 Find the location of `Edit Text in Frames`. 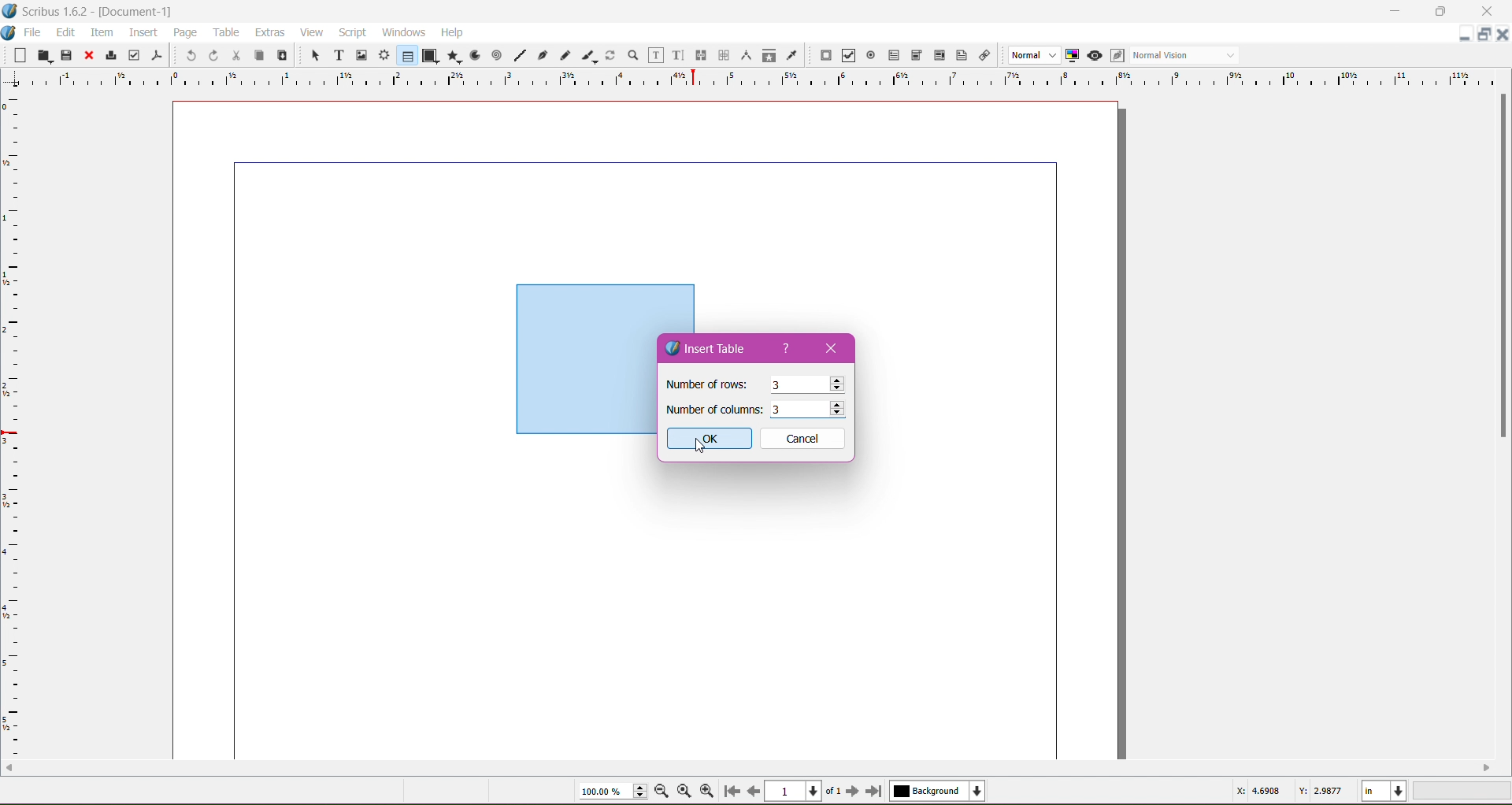

Edit Text in Frames is located at coordinates (656, 55).